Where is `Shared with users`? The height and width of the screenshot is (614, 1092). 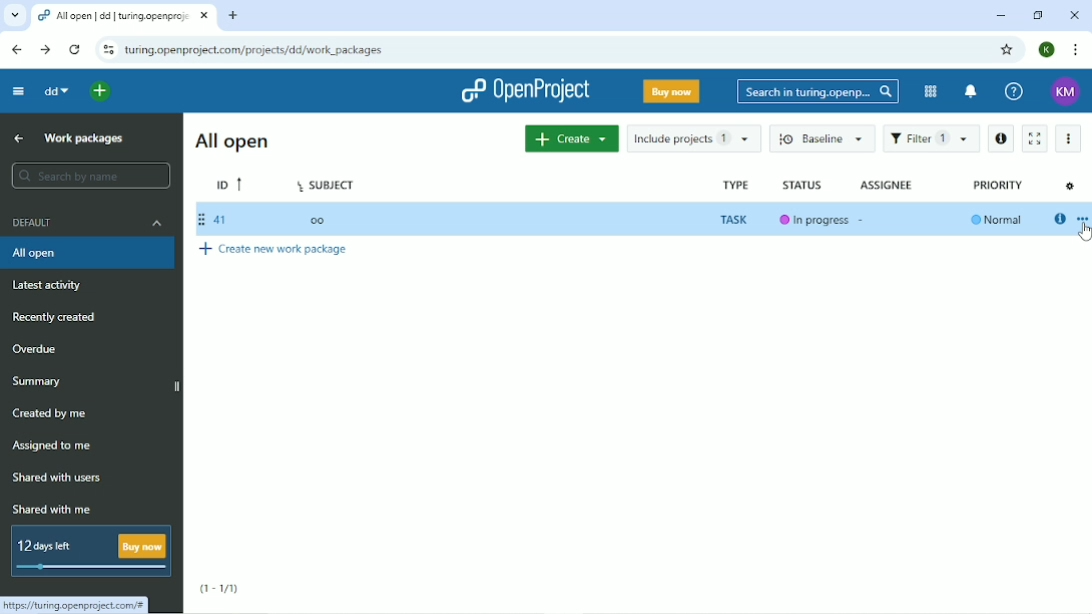
Shared with users is located at coordinates (61, 477).